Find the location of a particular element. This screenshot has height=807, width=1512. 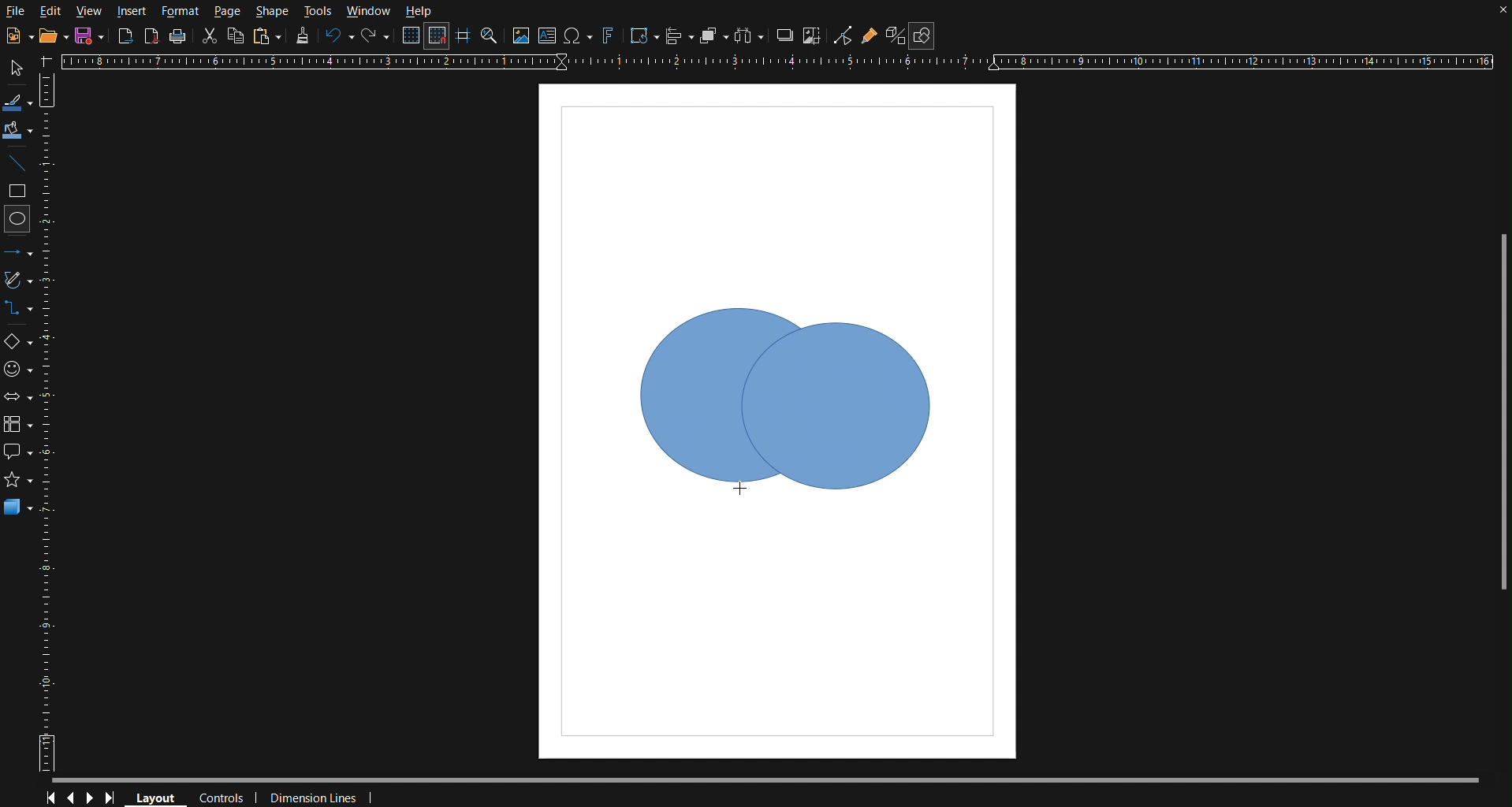

Fontworks is located at coordinates (608, 36).